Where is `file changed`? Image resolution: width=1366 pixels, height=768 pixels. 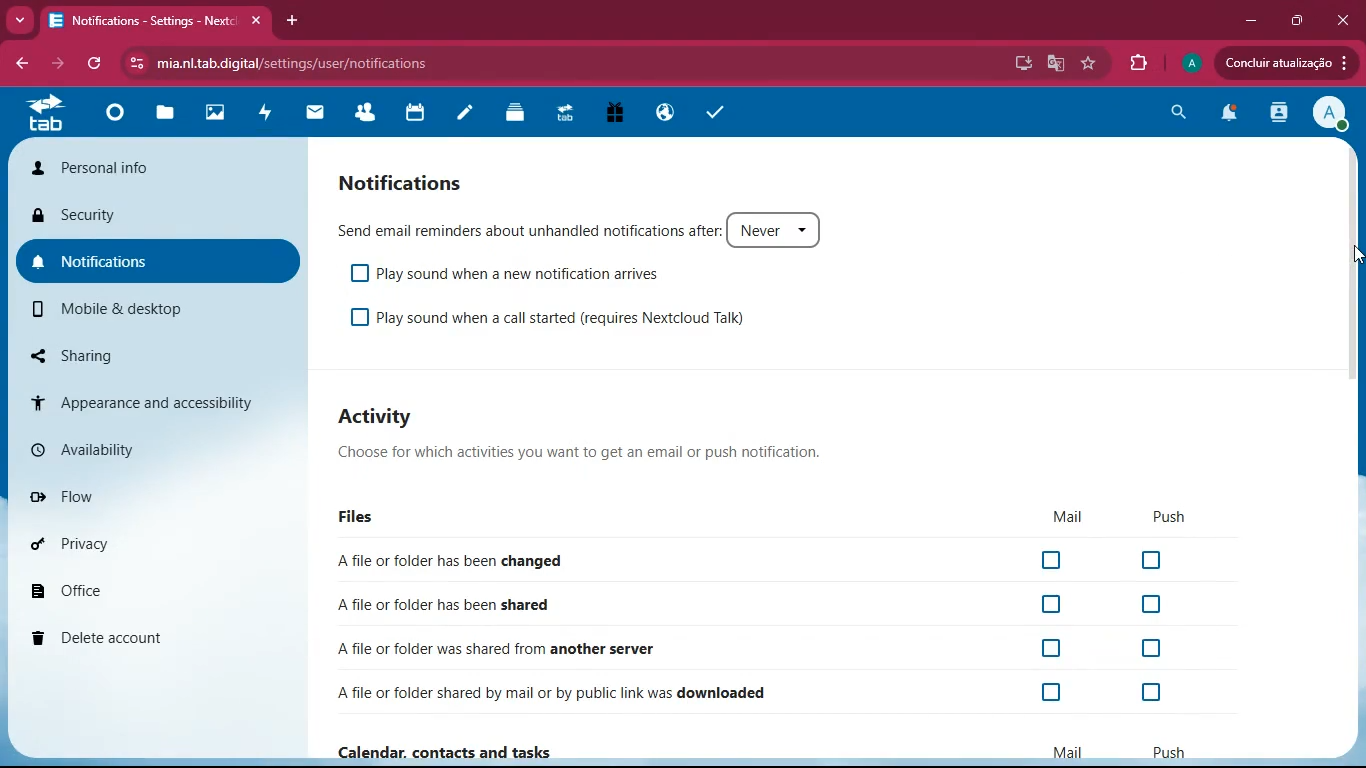
file changed is located at coordinates (454, 560).